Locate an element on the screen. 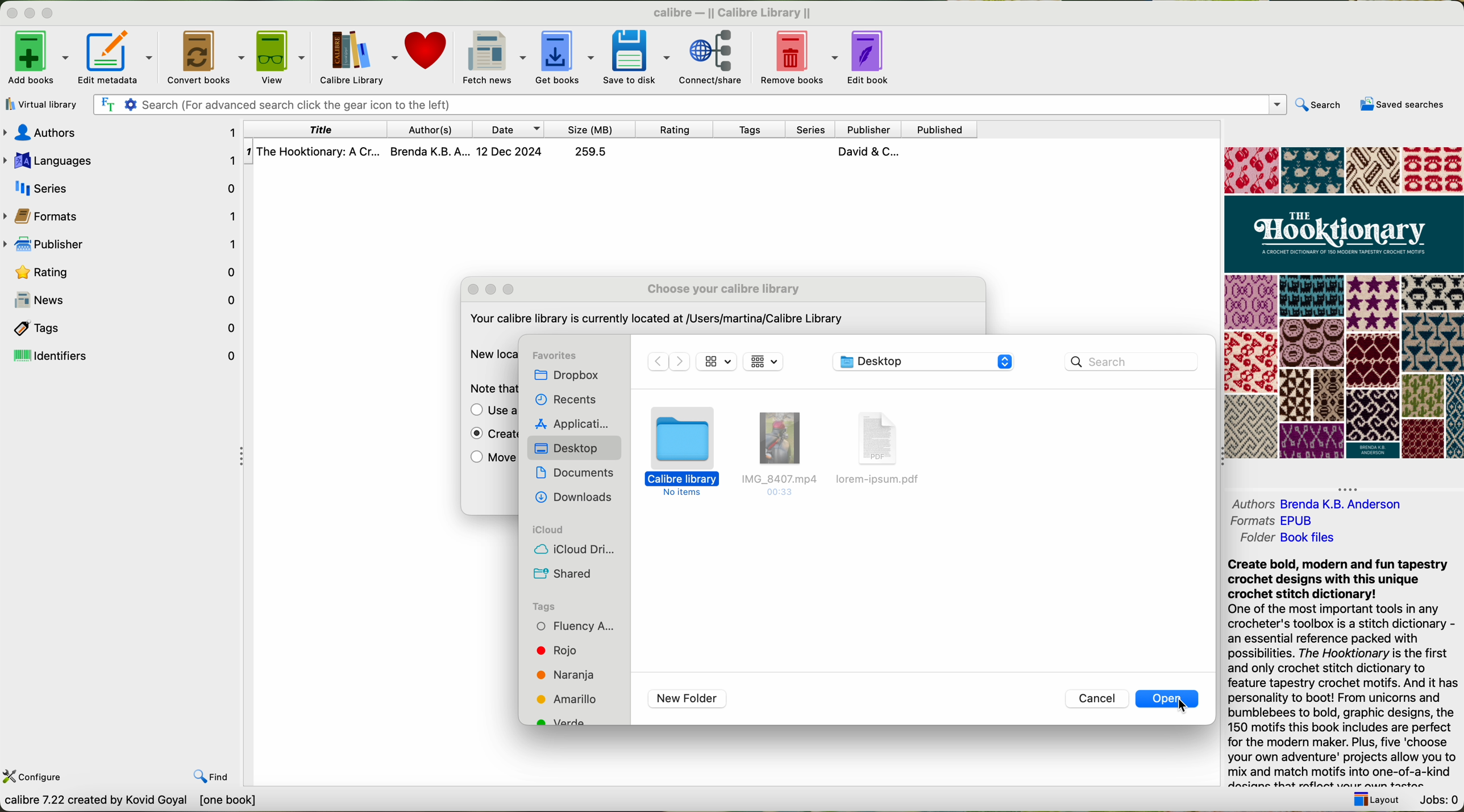  shared is located at coordinates (562, 574).